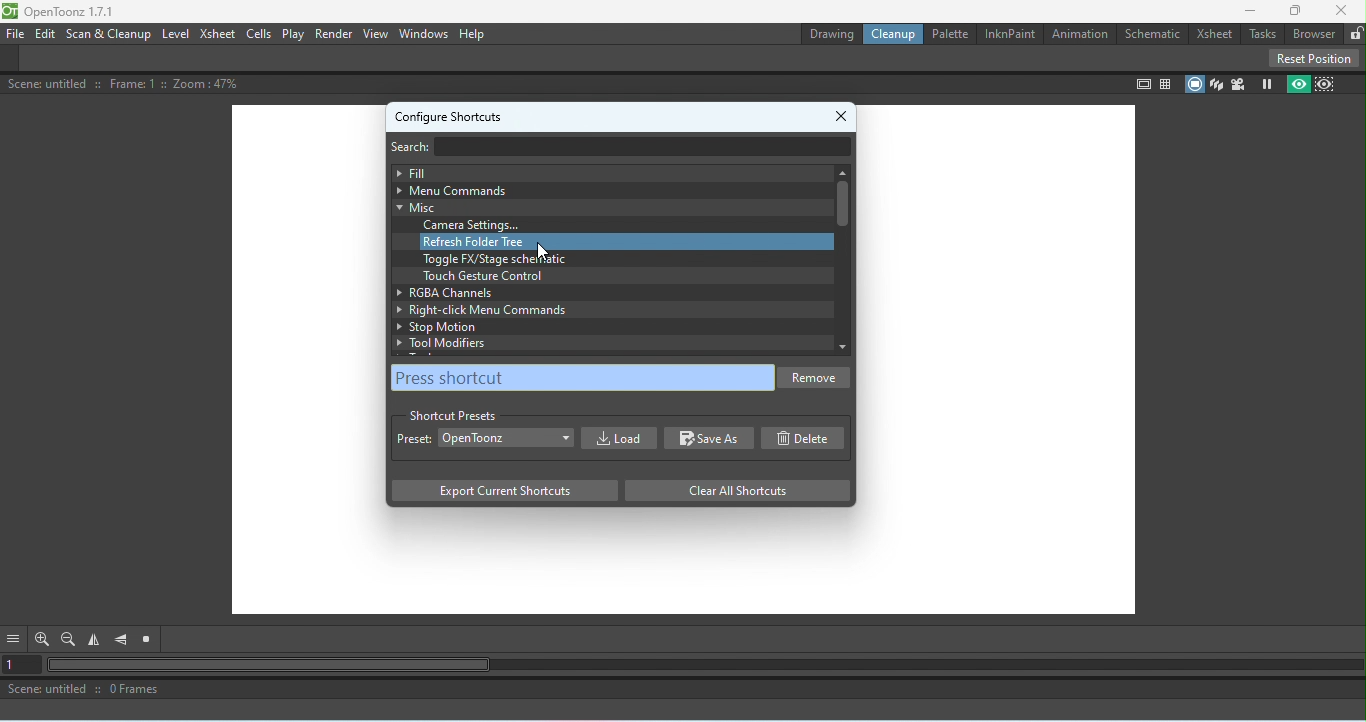 This screenshot has width=1366, height=722. I want to click on Cells, so click(261, 32).